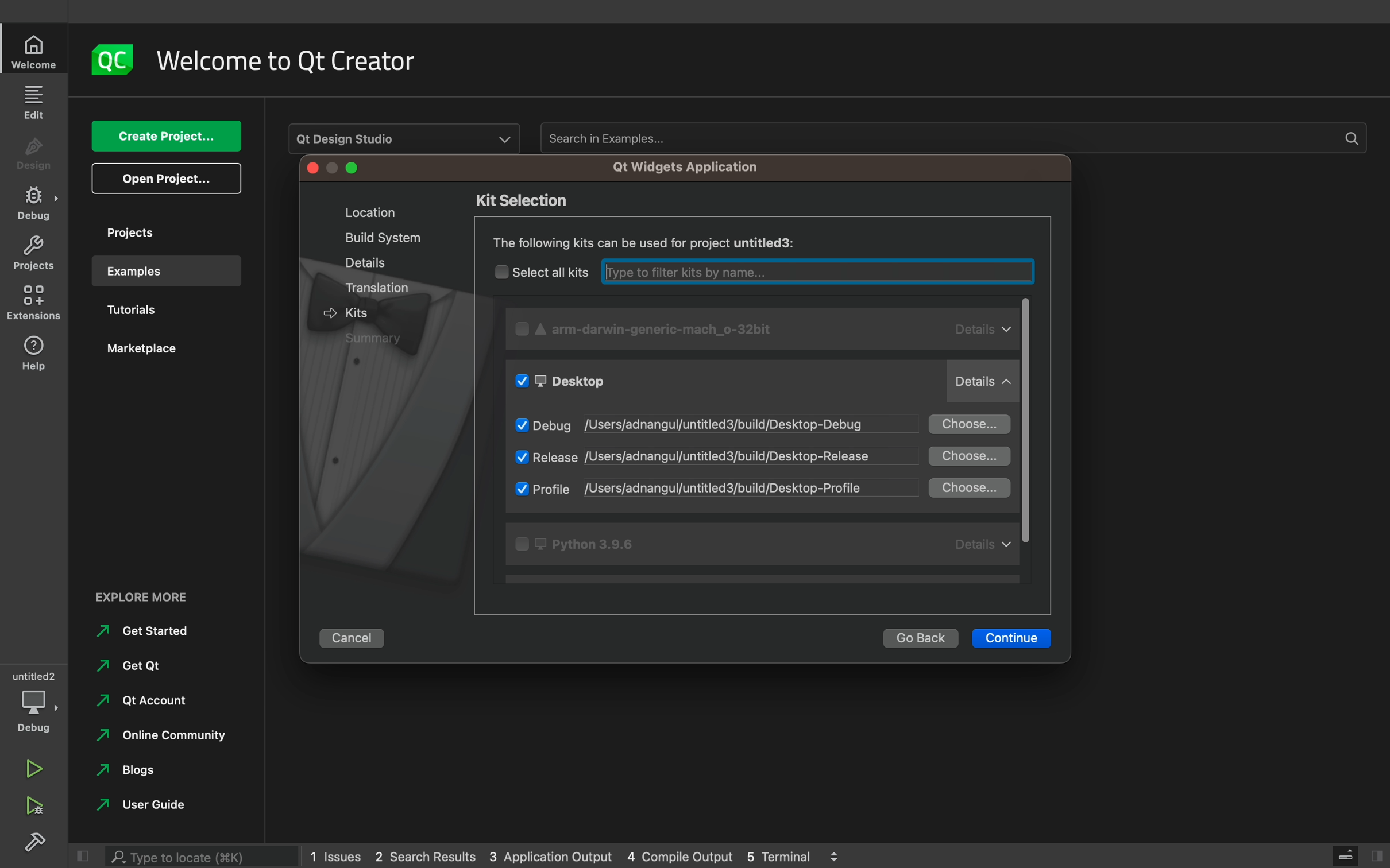 The height and width of the screenshot is (868, 1390). I want to click on 3 application output, so click(550, 857).